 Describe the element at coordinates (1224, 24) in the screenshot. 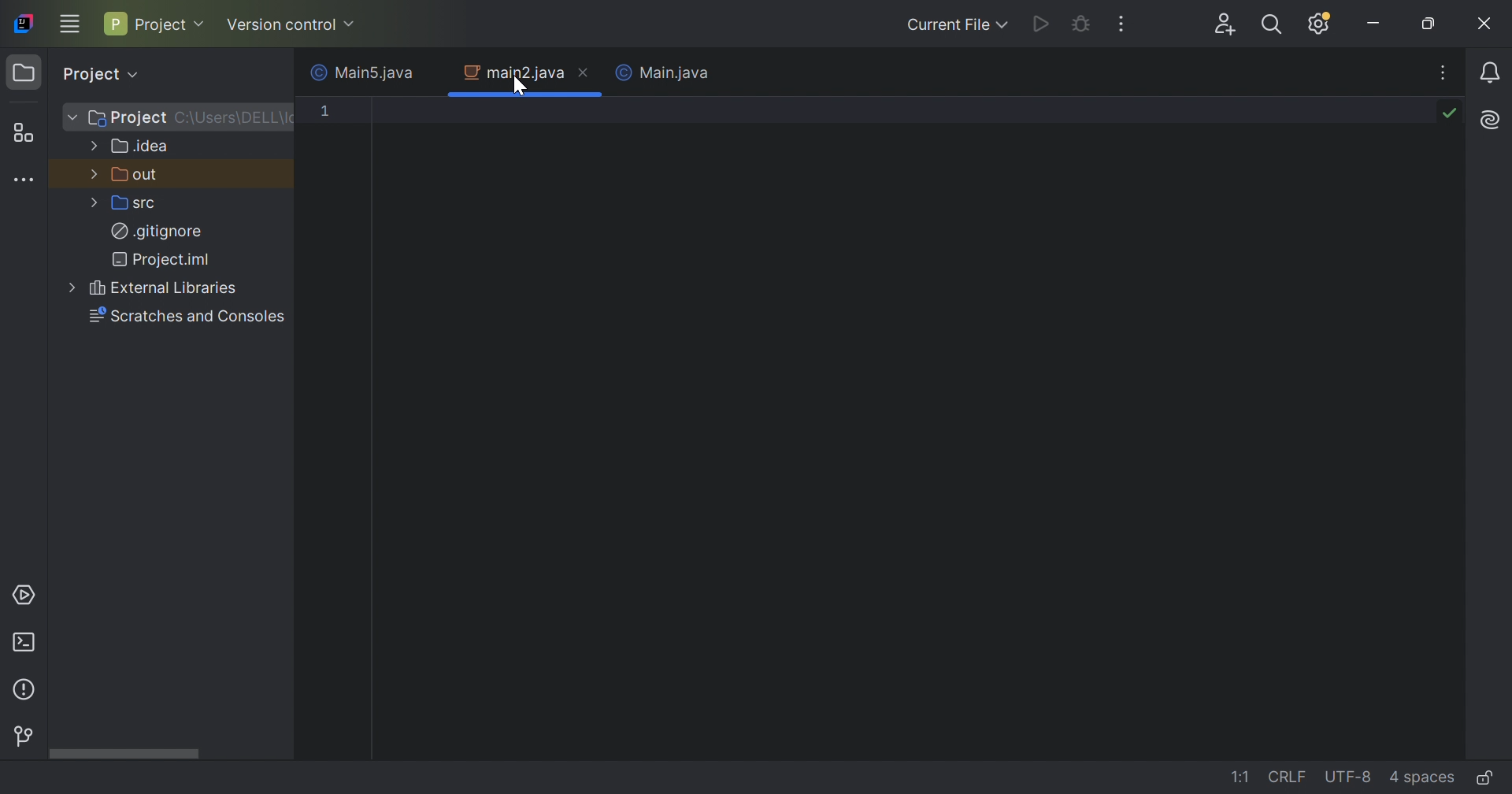

I see `Code With Me` at that location.